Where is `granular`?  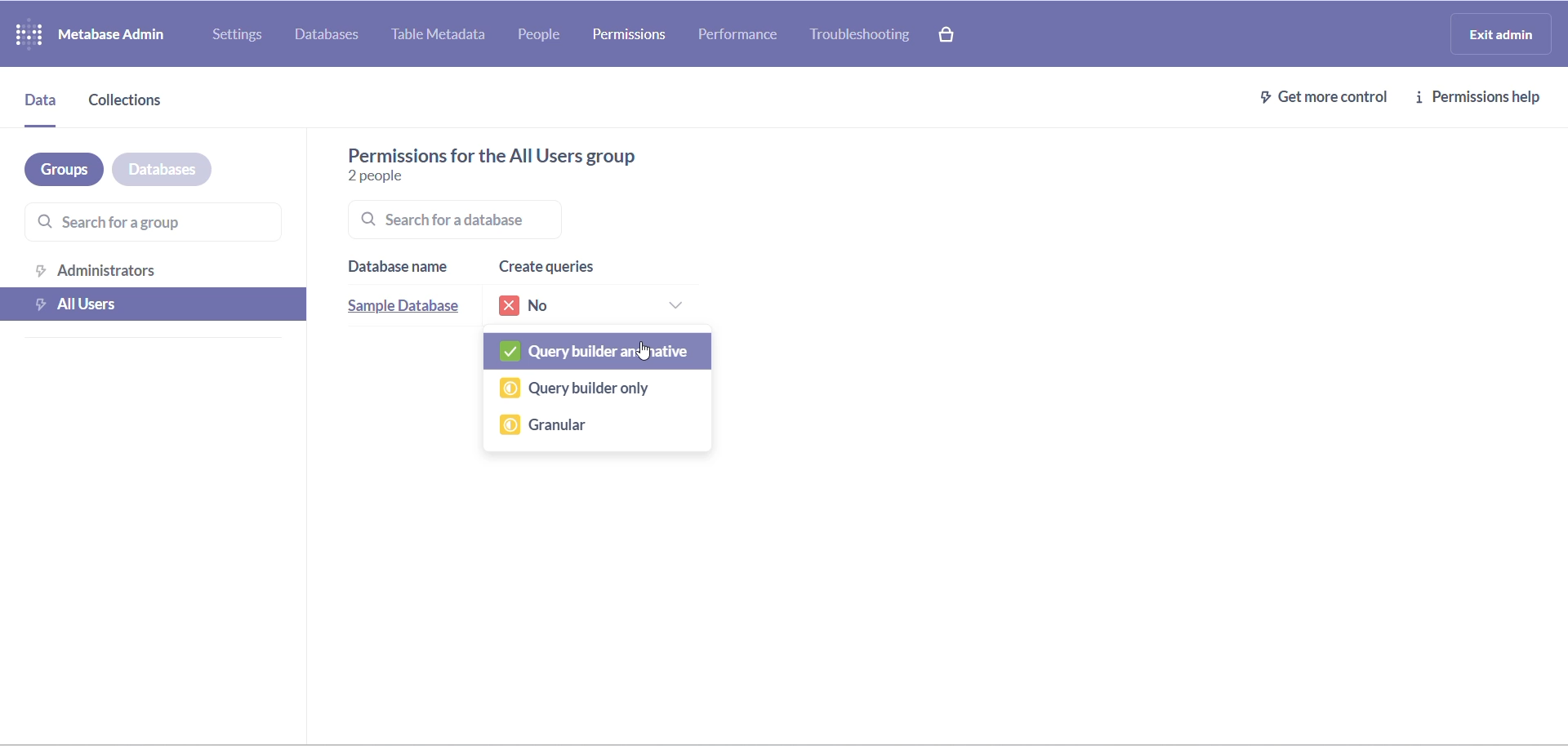 granular is located at coordinates (586, 429).